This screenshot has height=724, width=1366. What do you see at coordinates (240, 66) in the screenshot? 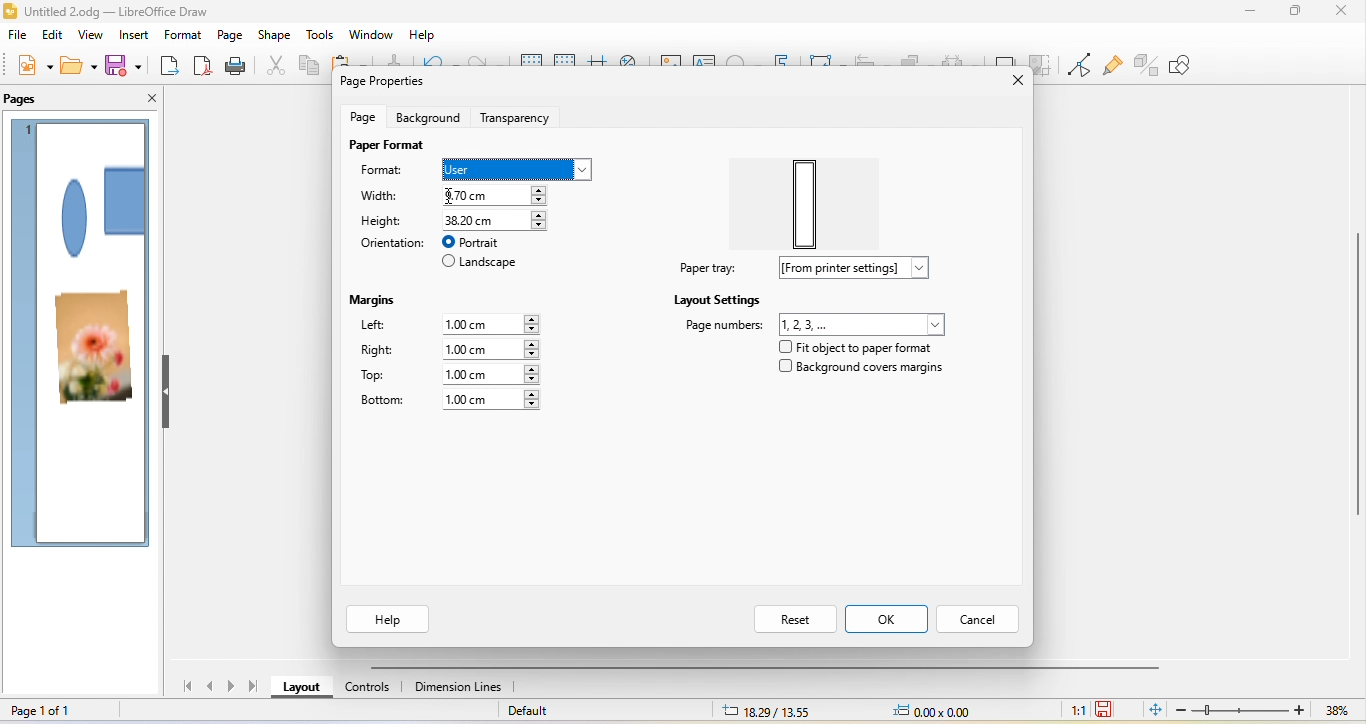
I see `print` at bounding box center [240, 66].